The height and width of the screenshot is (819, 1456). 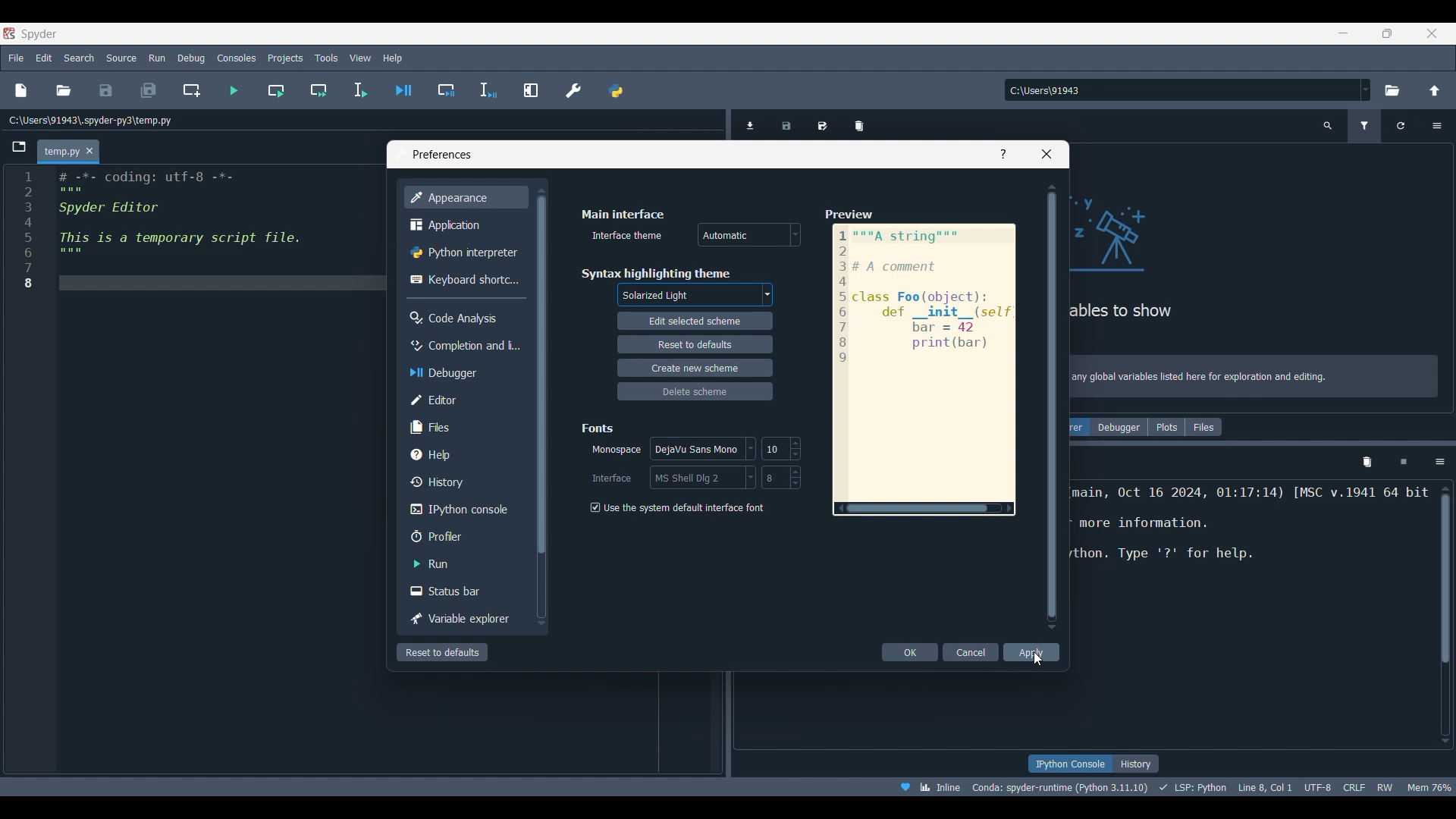 I want to click on Vertical slide bar, so click(x=541, y=407).